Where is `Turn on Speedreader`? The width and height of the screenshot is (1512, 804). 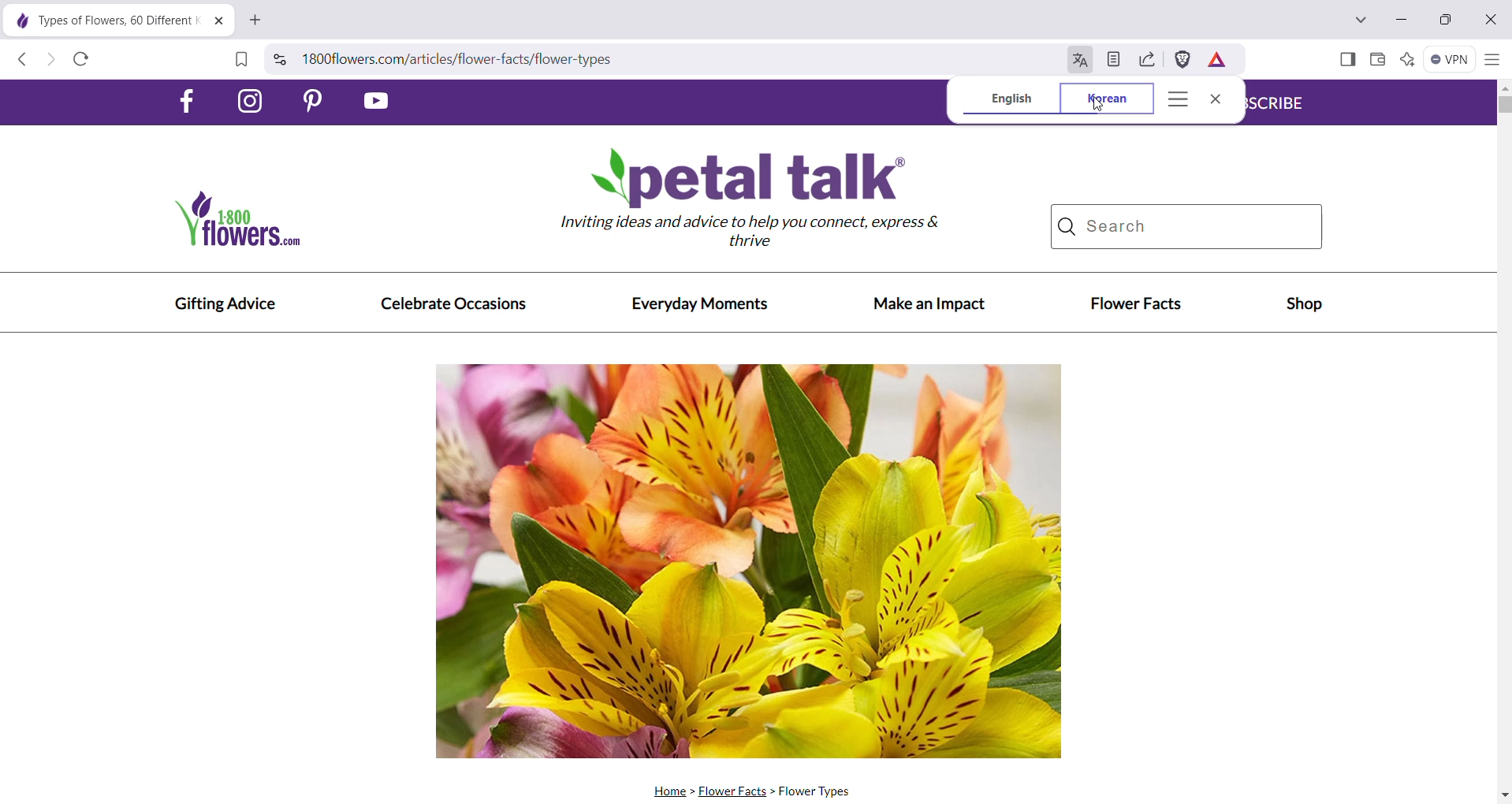 Turn on Speedreader is located at coordinates (1112, 60).